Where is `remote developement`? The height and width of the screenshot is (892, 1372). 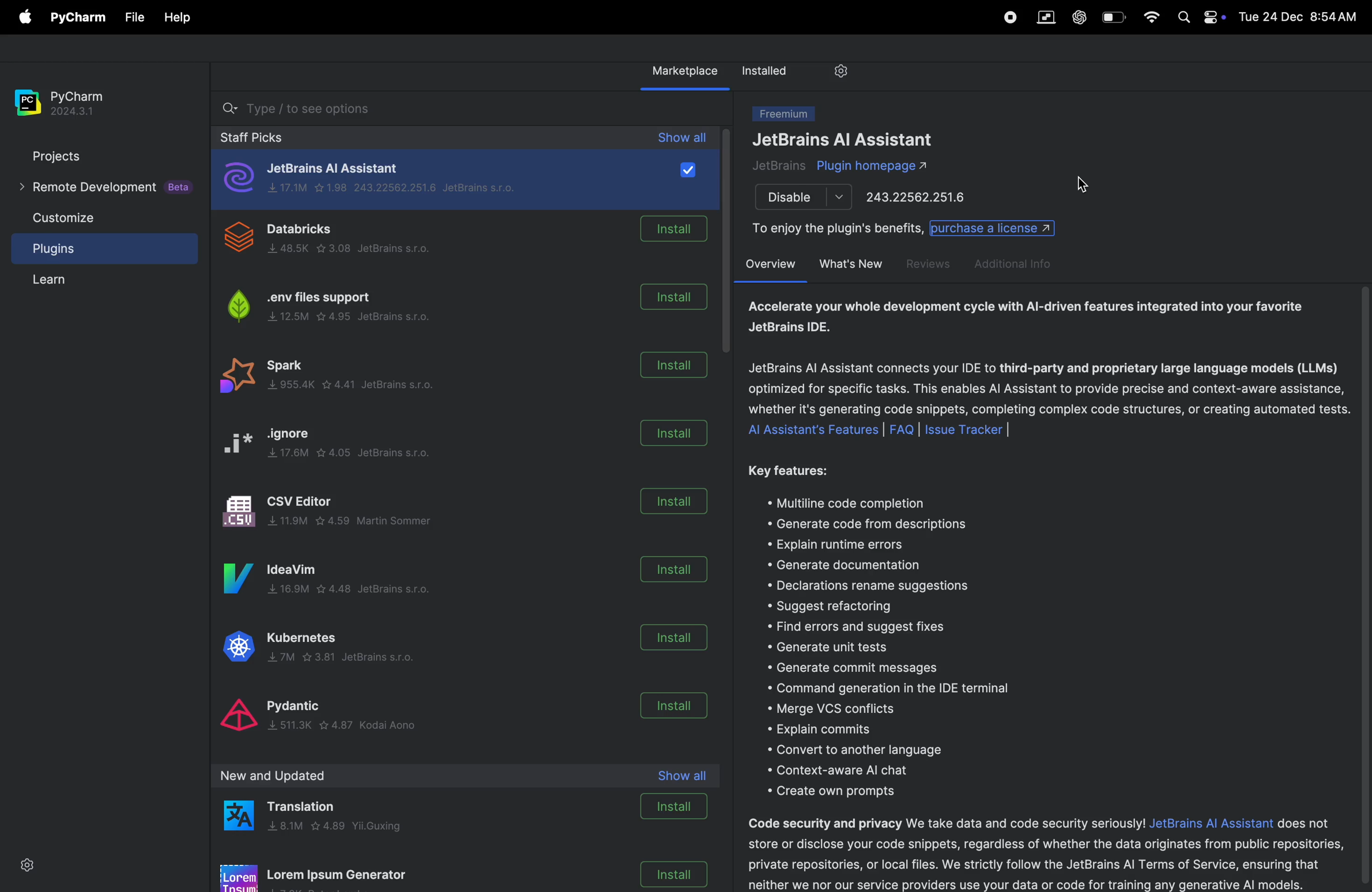
remote developement is located at coordinates (107, 187).